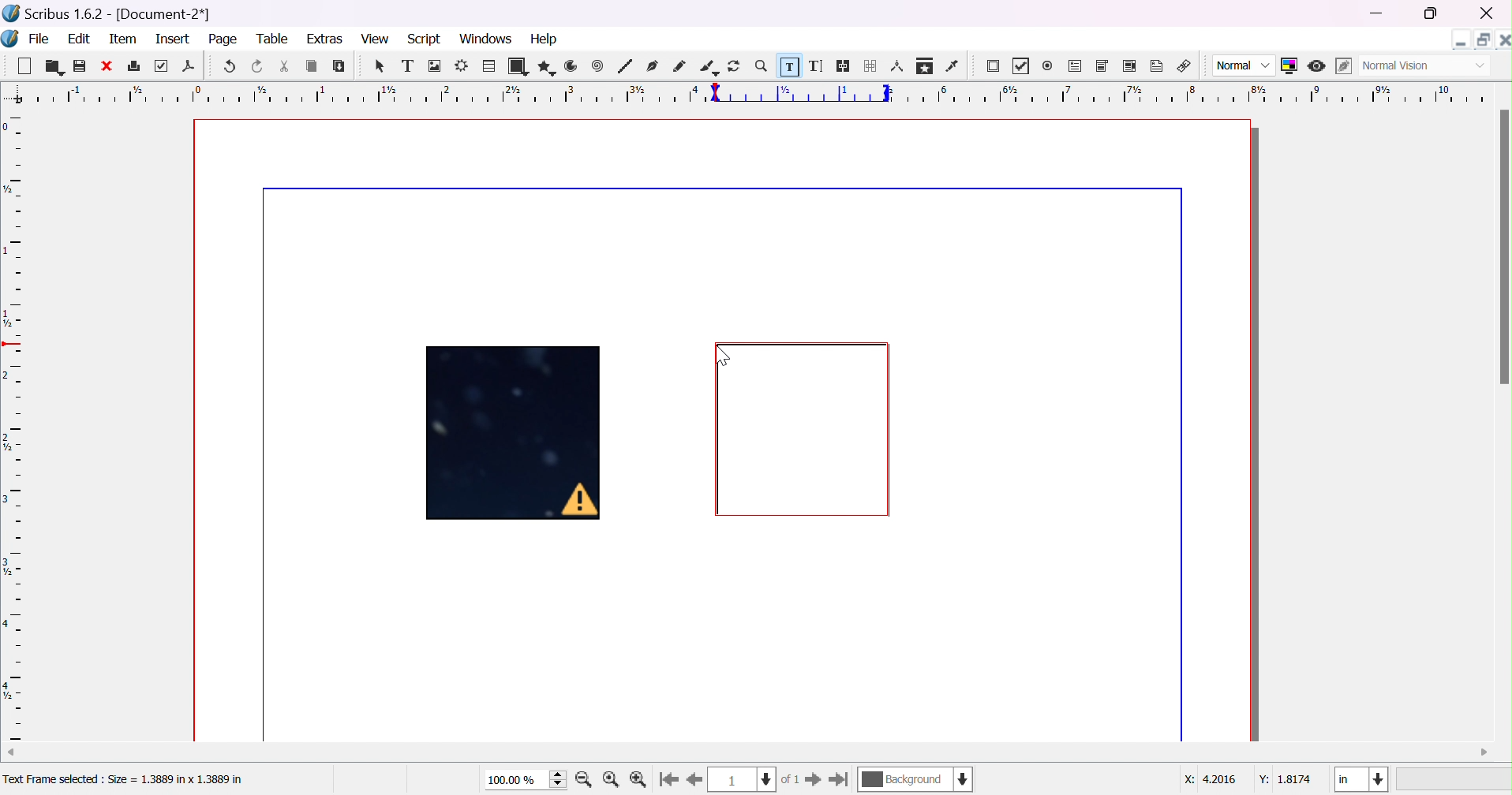 Image resolution: width=1512 pixels, height=795 pixels. Describe the element at coordinates (708, 65) in the screenshot. I see `calligraphic line` at that location.